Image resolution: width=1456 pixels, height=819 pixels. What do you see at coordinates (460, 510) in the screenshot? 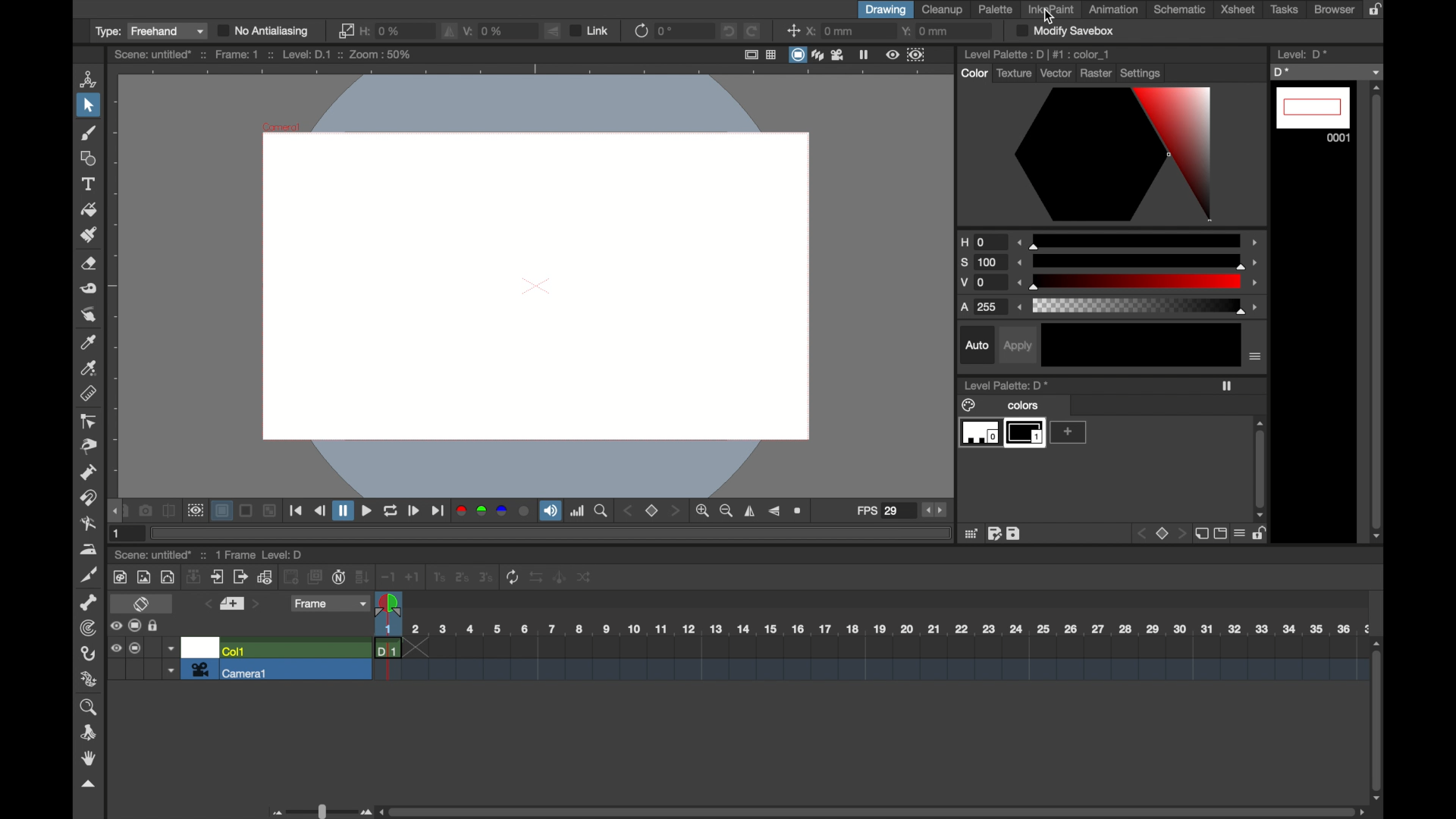
I see `red` at bounding box center [460, 510].